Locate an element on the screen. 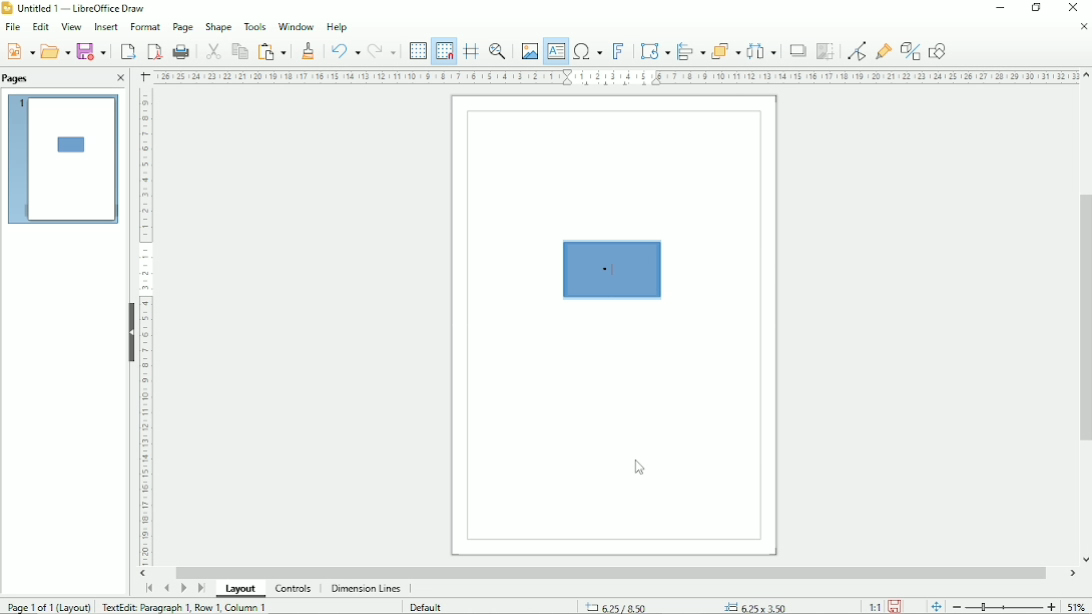 This screenshot has width=1092, height=614. 6.25x3.50 is located at coordinates (755, 605).